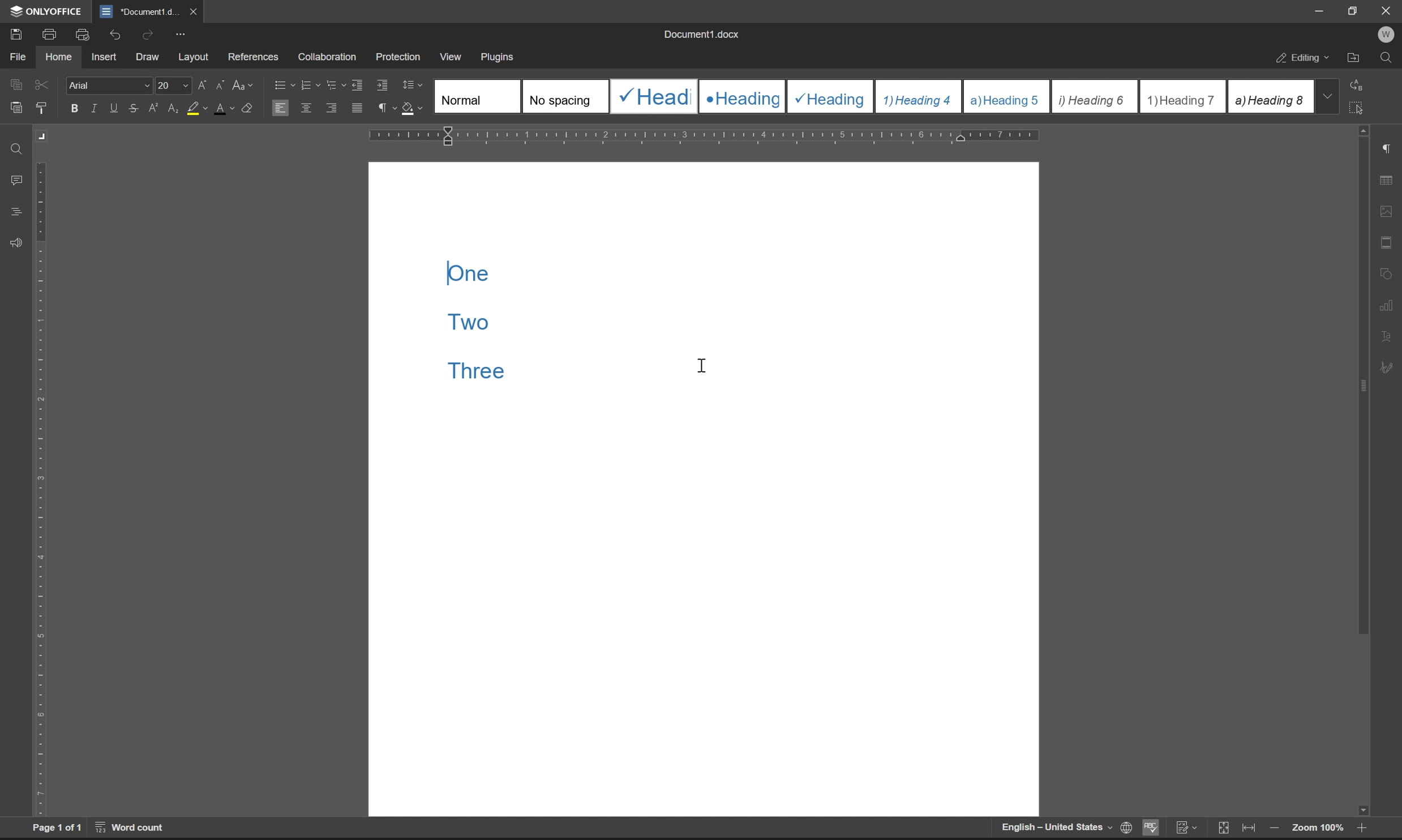 This screenshot has width=1402, height=840. What do you see at coordinates (139, 12) in the screenshot?
I see `document1` at bounding box center [139, 12].